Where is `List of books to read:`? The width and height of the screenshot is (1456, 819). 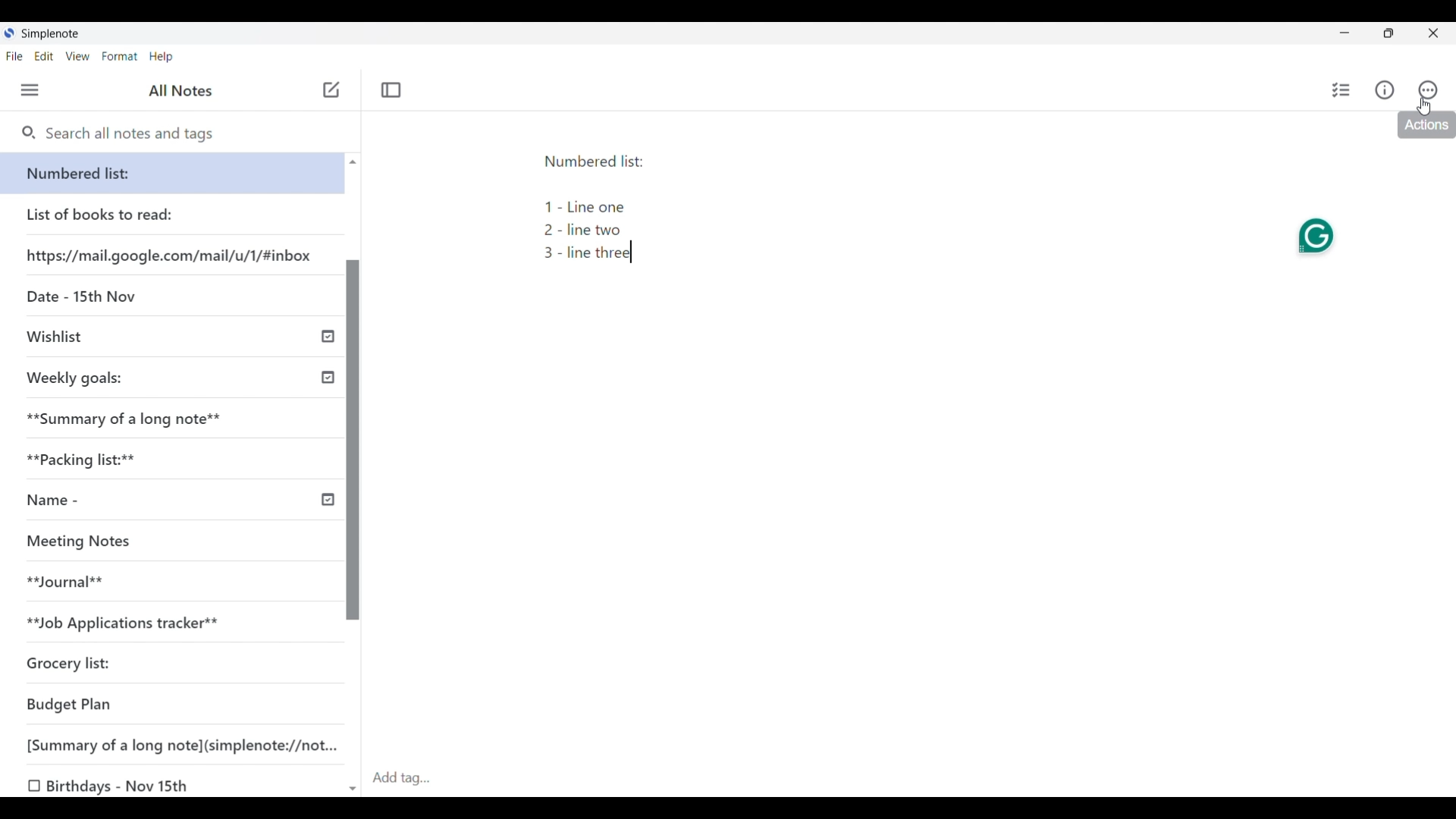 List of books to read: is located at coordinates (115, 215).